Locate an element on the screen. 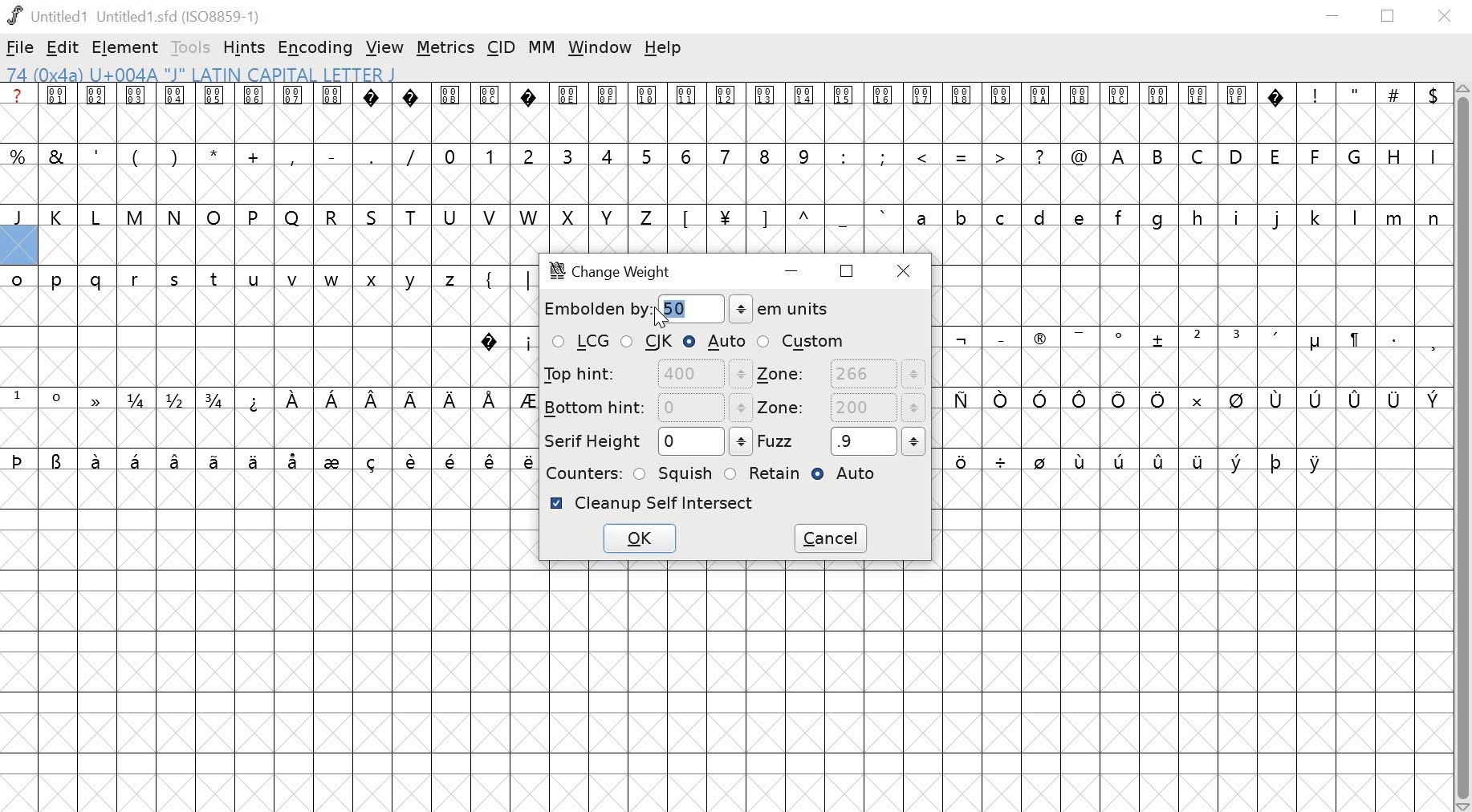  symbols is located at coordinates (1190, 400).